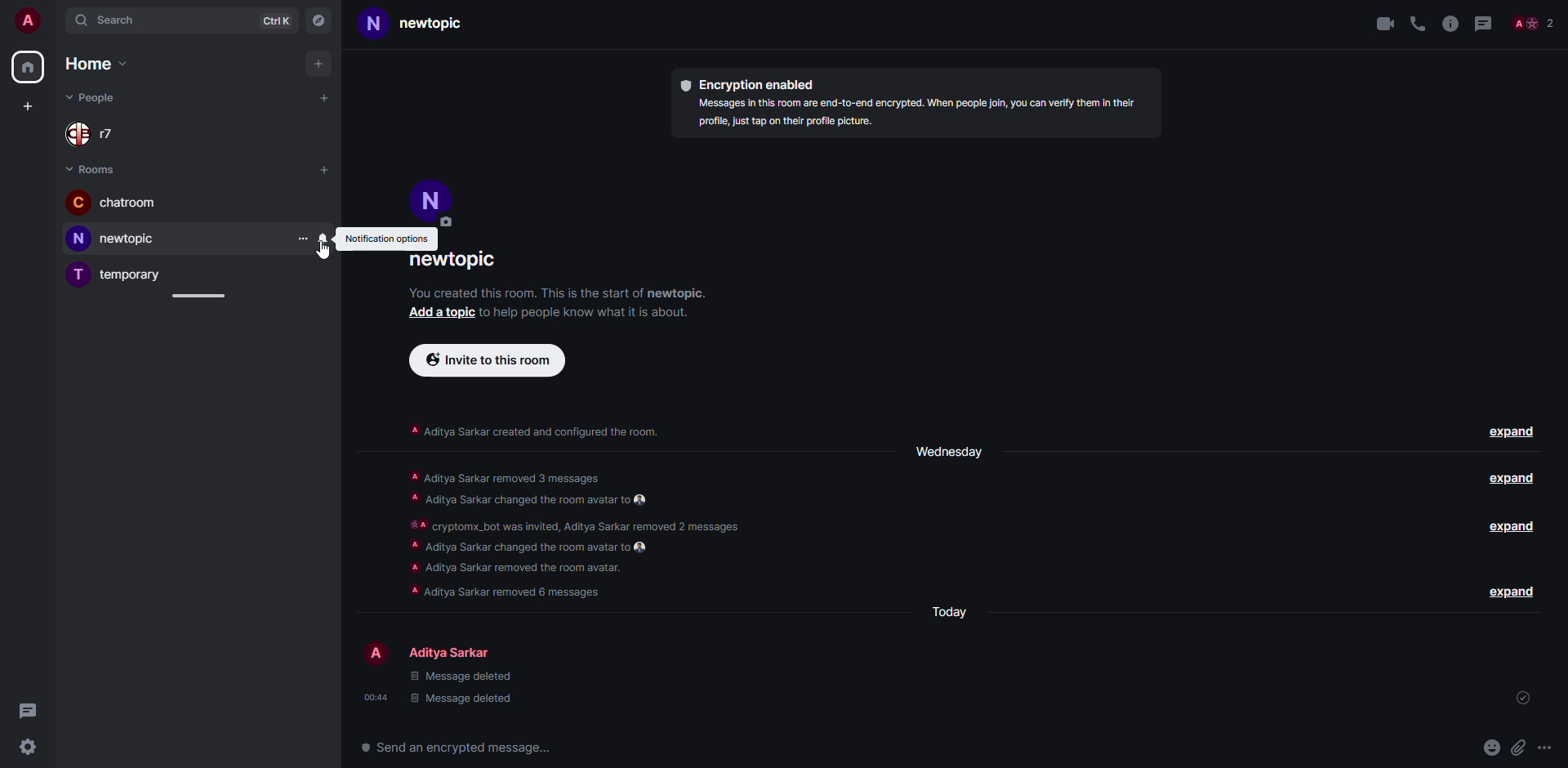 The height and width of the screenshot is (768, 1568). What do you see at coordinates (323, 256) in the screenshot?
I see `cursor` at bounding box center [323, 256].